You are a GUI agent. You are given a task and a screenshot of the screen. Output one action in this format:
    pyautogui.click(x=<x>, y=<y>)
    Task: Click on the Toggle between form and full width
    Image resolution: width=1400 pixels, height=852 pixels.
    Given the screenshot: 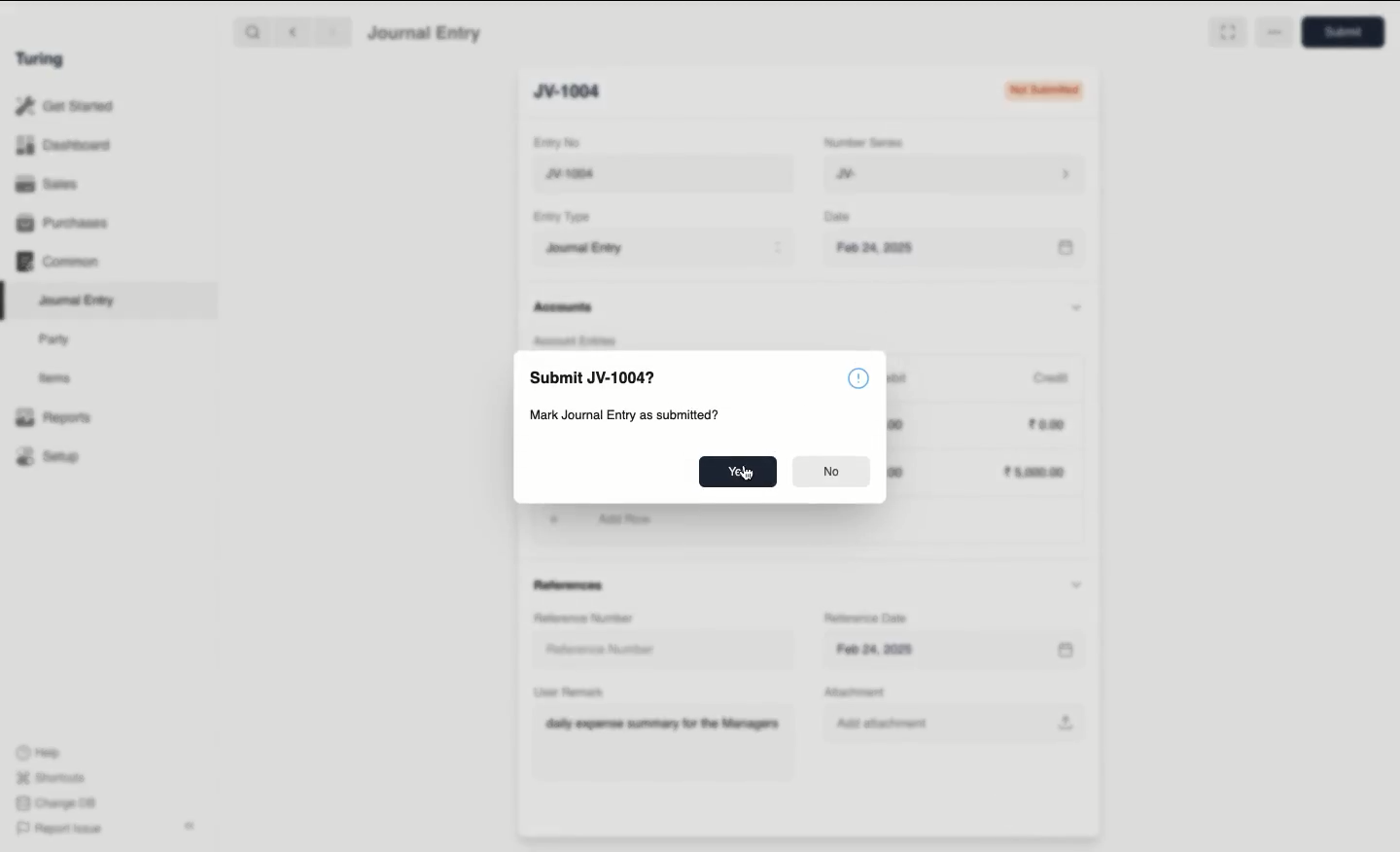 What is the action you would take?
    pyautogui.click(x=1227, y=32)
    